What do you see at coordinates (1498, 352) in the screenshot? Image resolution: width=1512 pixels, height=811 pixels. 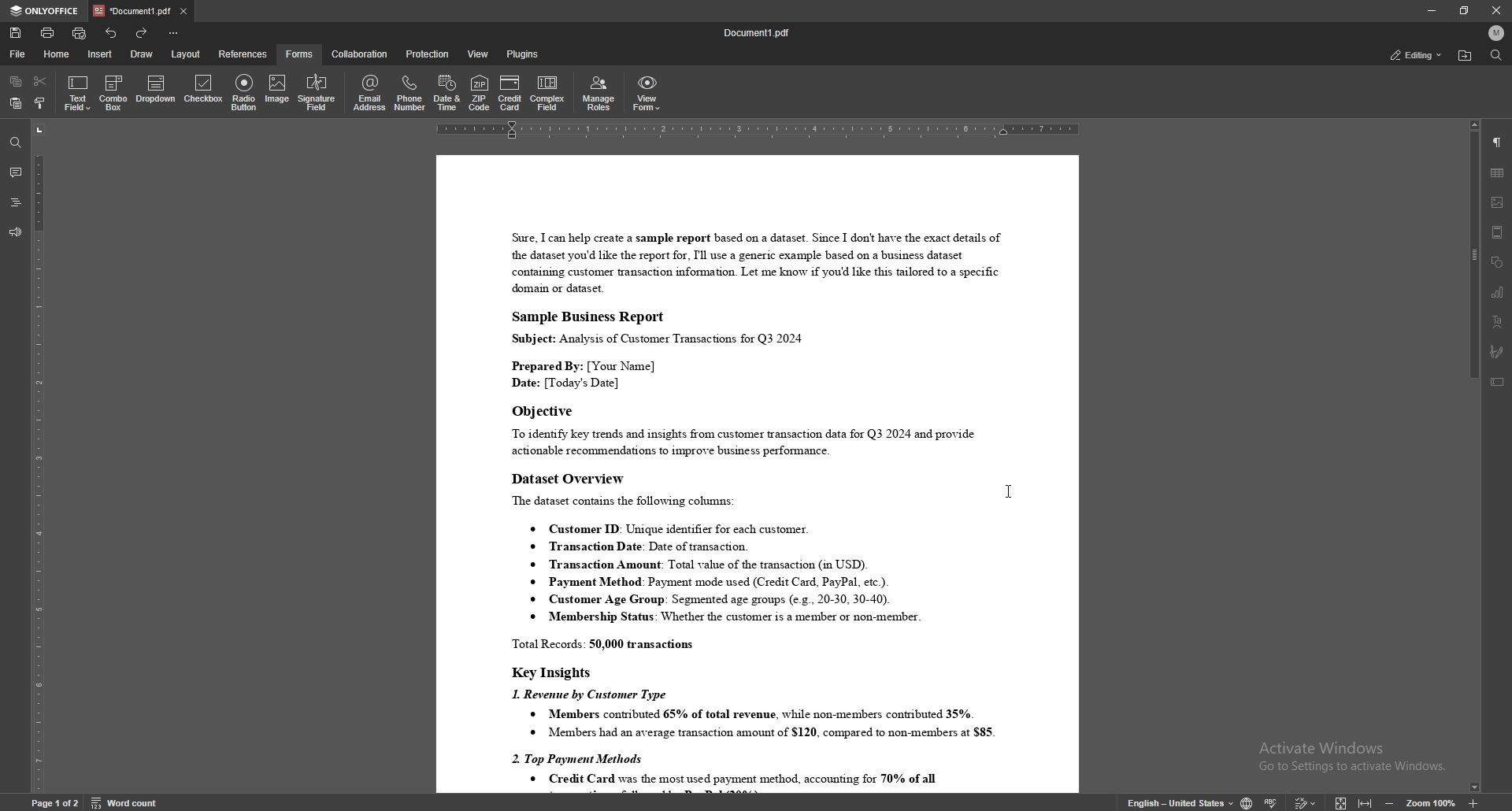 I see `signature field` at bounding box center [1498, 352].